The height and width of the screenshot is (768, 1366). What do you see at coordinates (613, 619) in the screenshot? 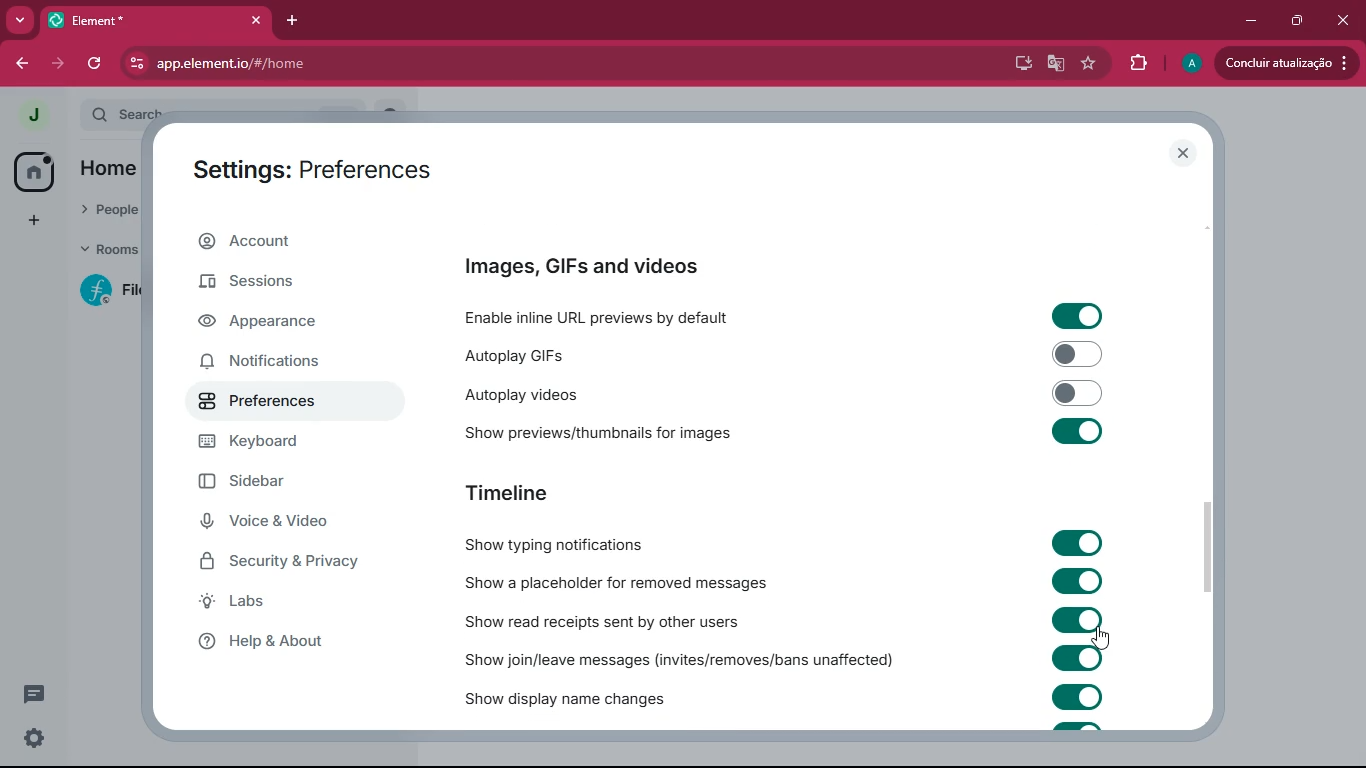
I see `show read receipts sent by others users` at bounding box center [613, 619].